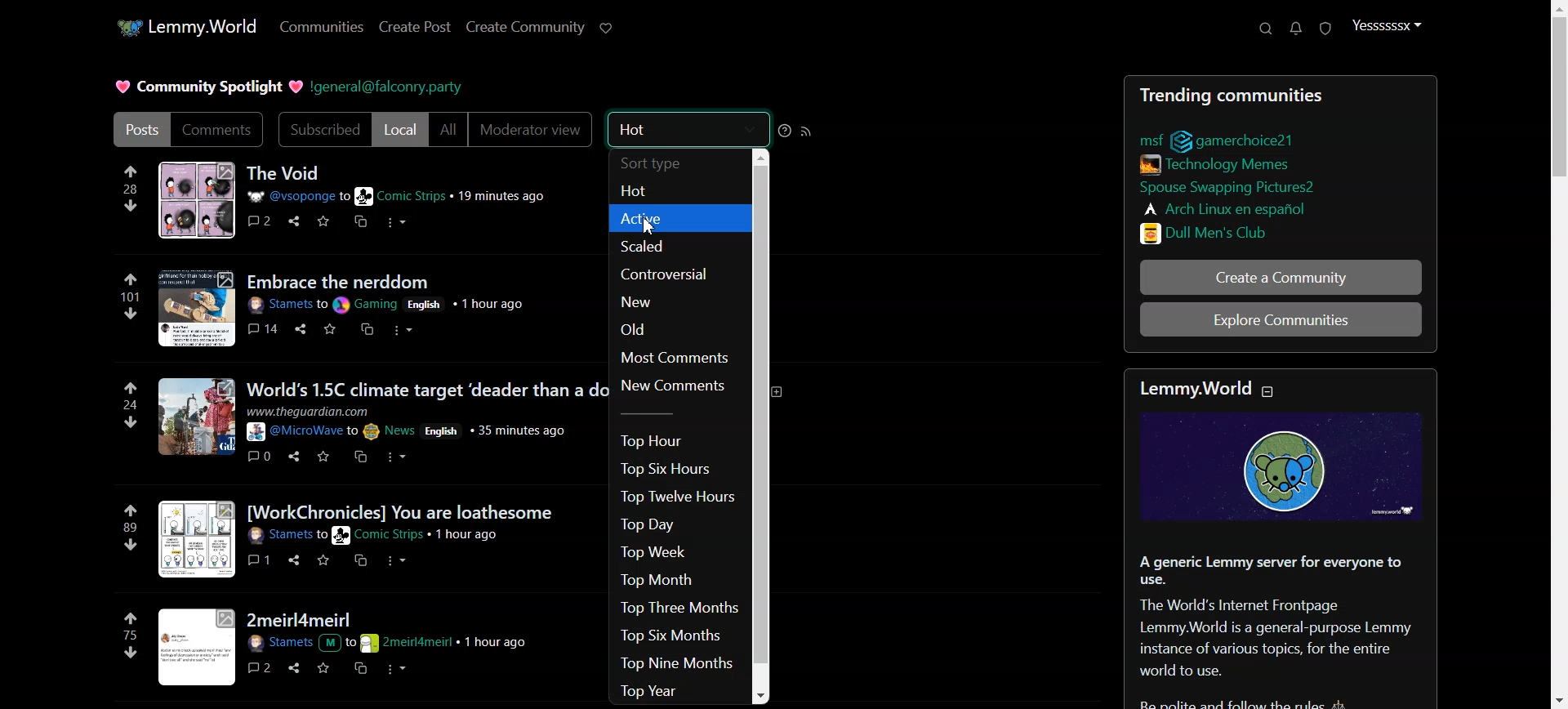 The width and height of the screenshot is (1568, 709). Describe the element at coordinates (392, 457) in the screenshot. I see `more` at that location.